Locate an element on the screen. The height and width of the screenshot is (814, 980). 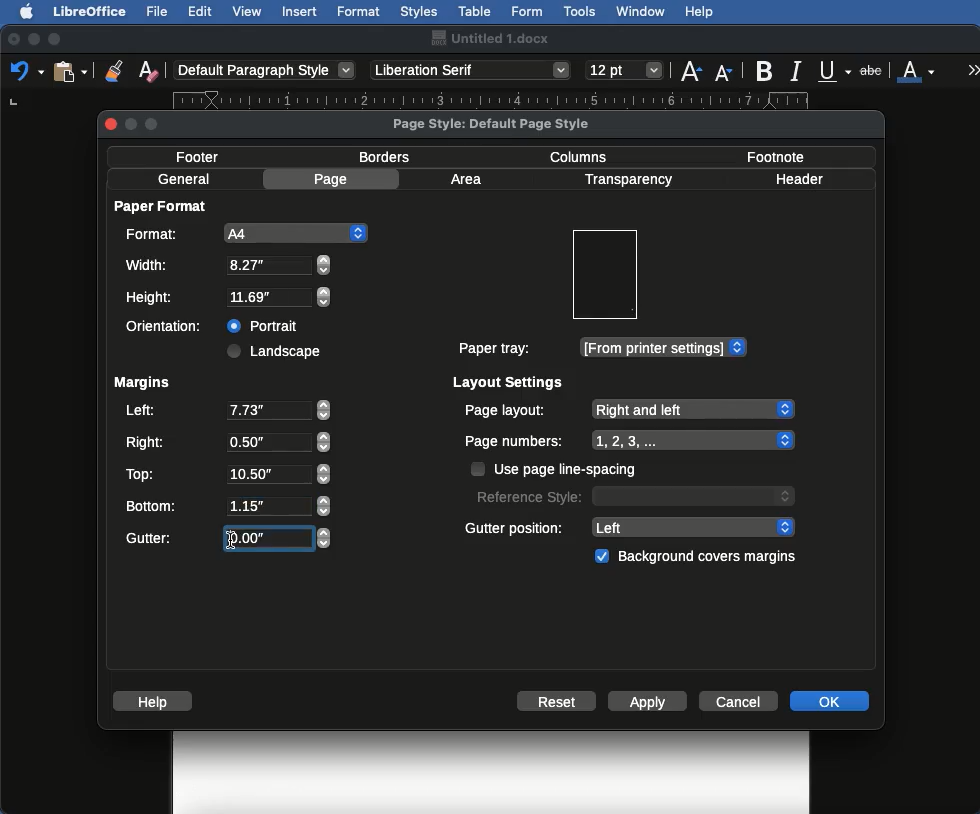
Width is located at coordinates (227, 265).